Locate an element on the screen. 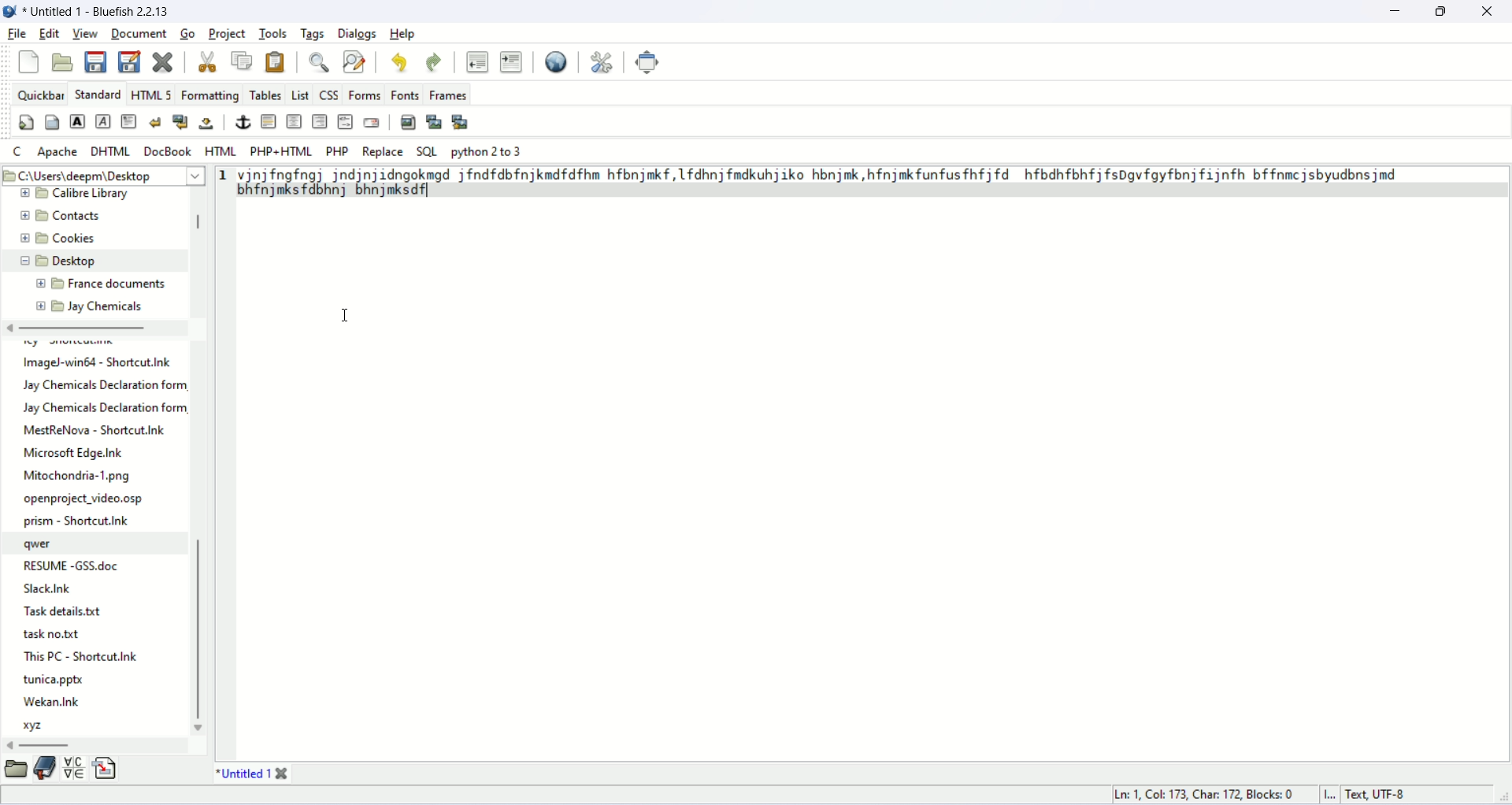 The width and height of the screenshot is (1512, 805). right justify is located at coordinates (320, 121).